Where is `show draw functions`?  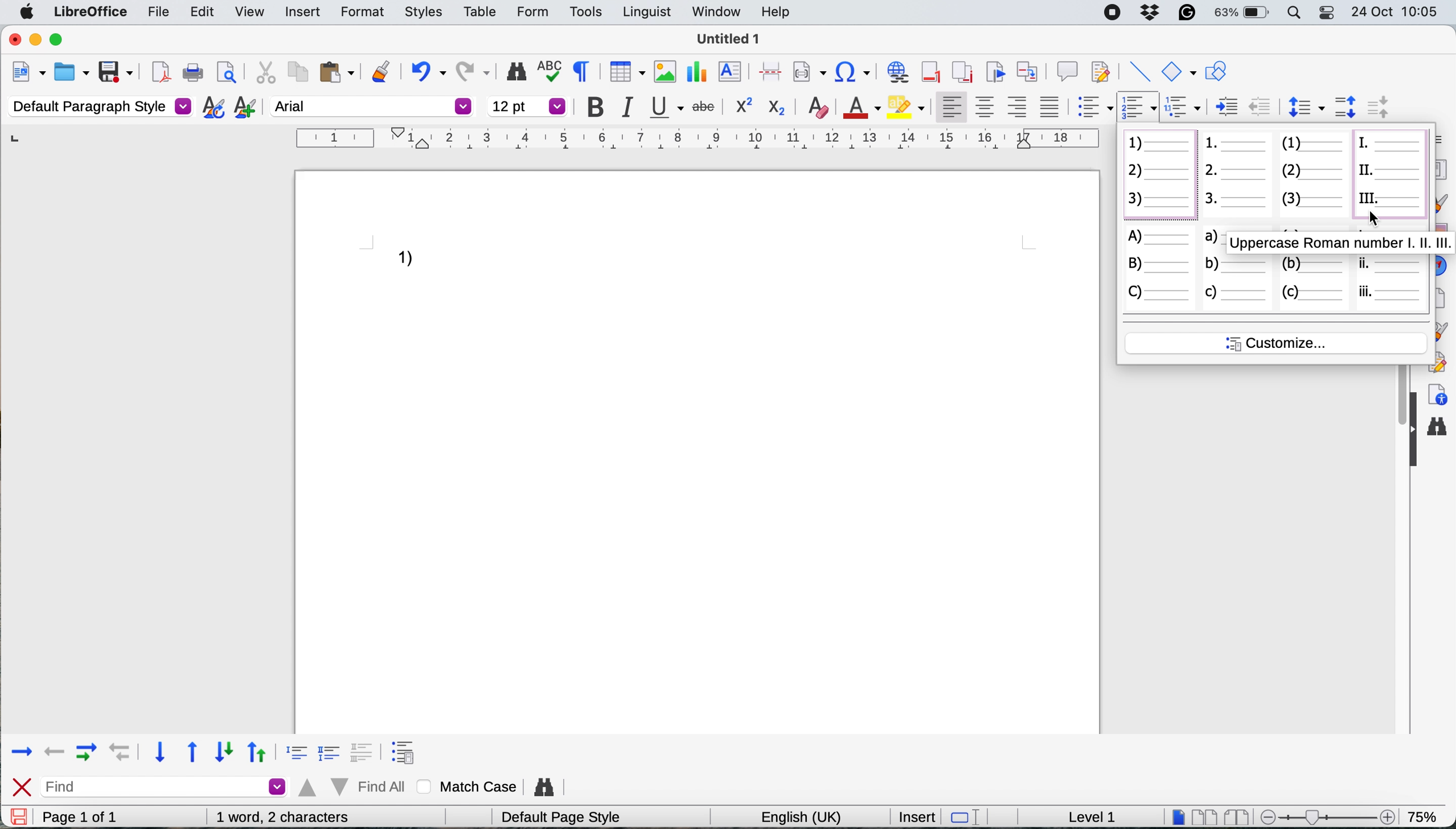 show draw functions is located at coordinates (1215, 72).